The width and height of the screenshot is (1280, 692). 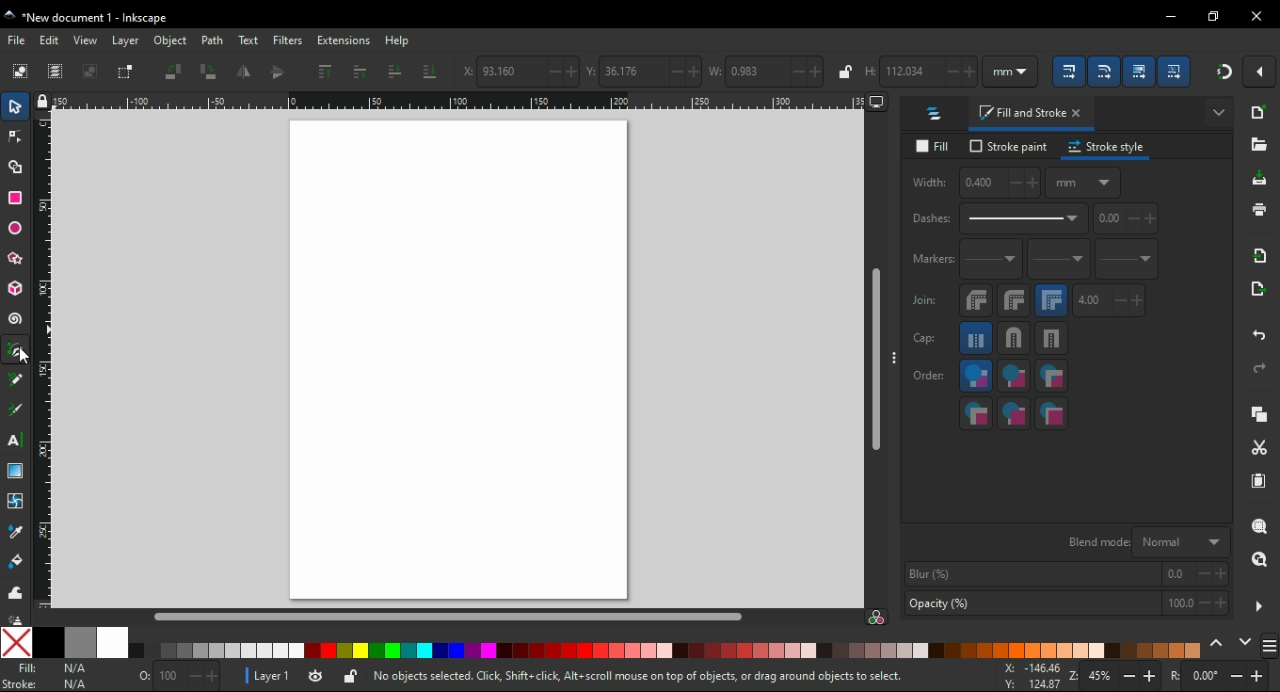 What do you see at coordinates (324, 71) in the screenshot?
I see `rasie to top` at bounding box center [324, 71].